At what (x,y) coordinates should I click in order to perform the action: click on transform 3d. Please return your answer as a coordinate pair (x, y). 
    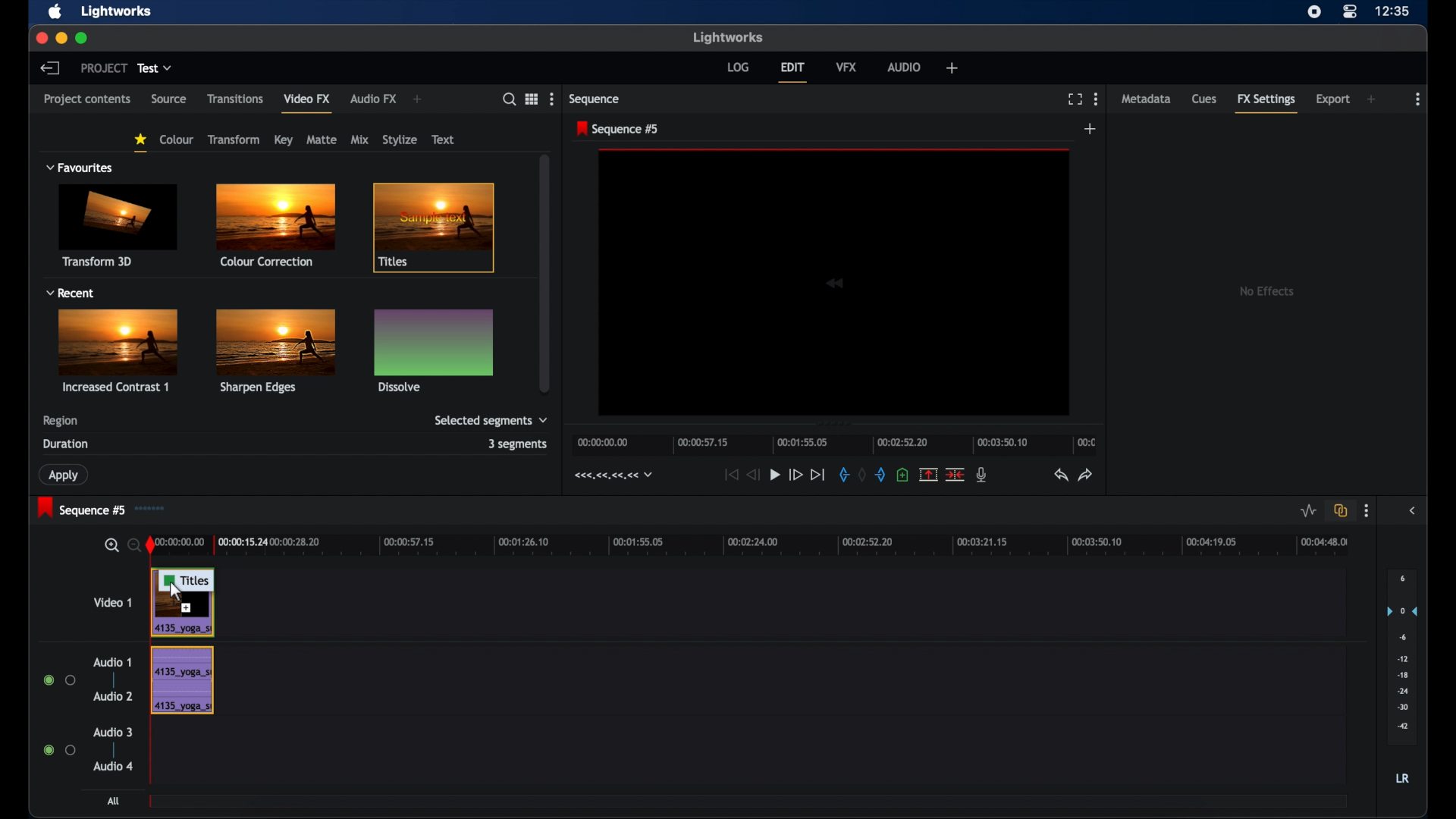
    Looking at the image, I should click on (119, 225).